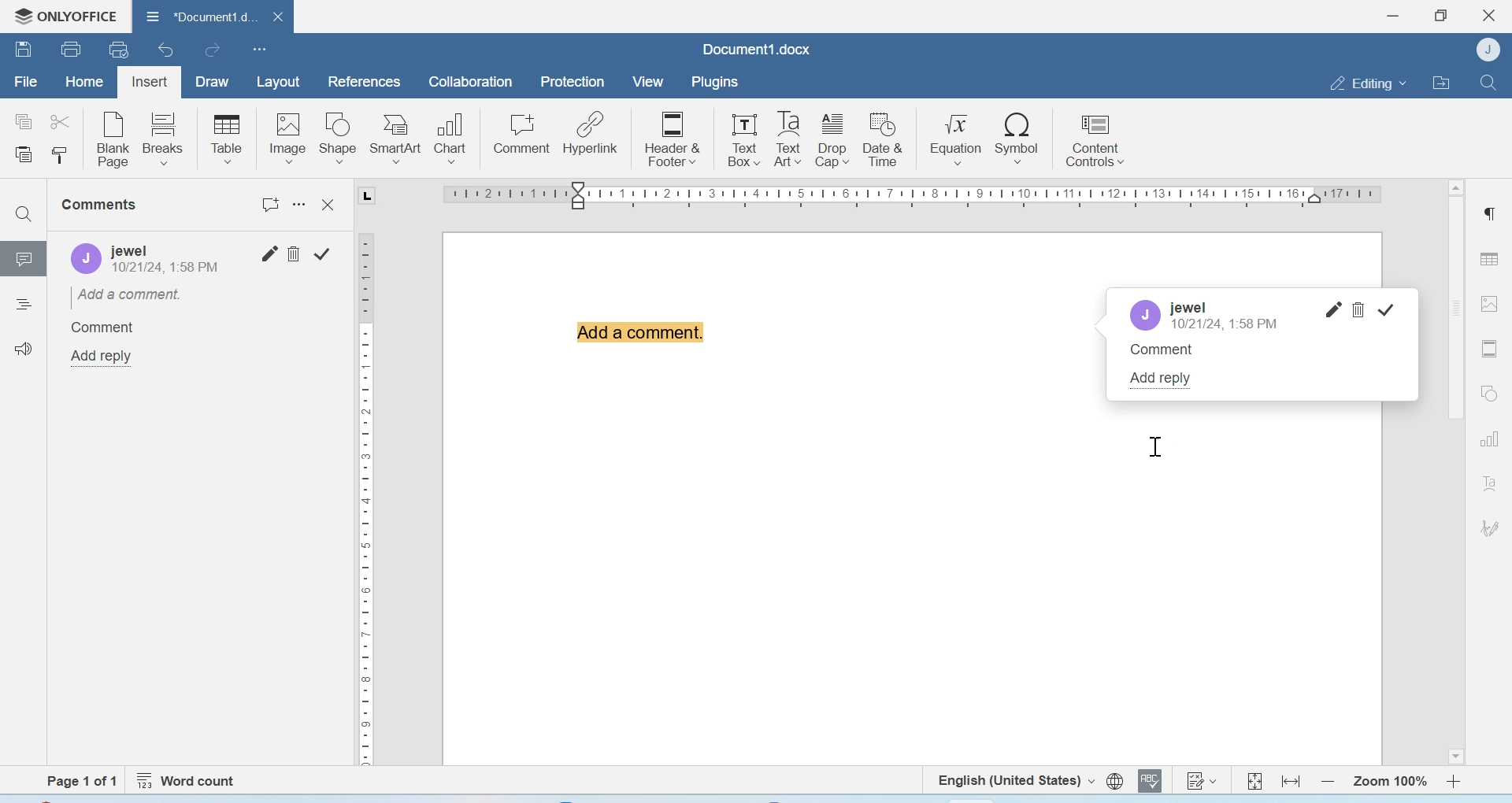 This screenshot has height=803, width=1512. I want to click on Draw, so click(213, 83).